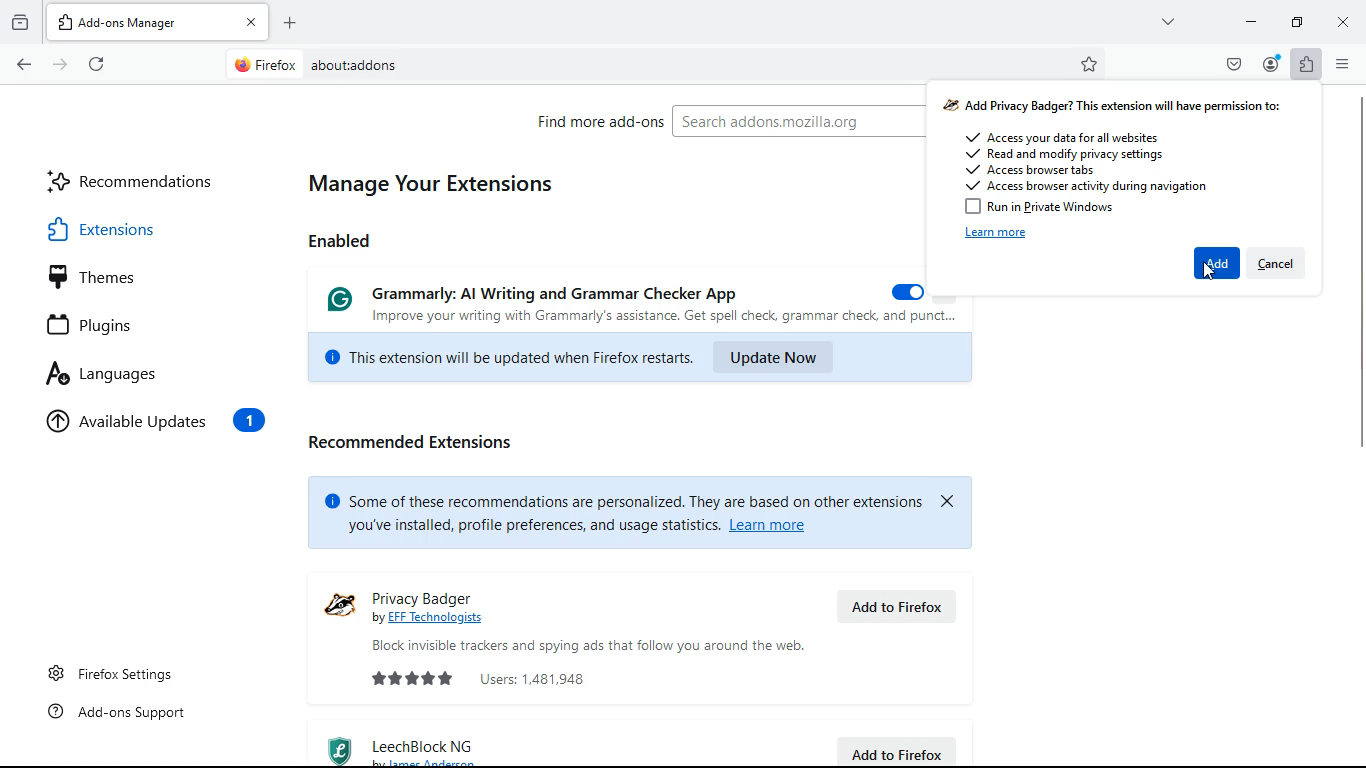  What do you see at coordinates (770, 527) in the screenshot?
I see `Learn more` at bounding box center [770, 527].